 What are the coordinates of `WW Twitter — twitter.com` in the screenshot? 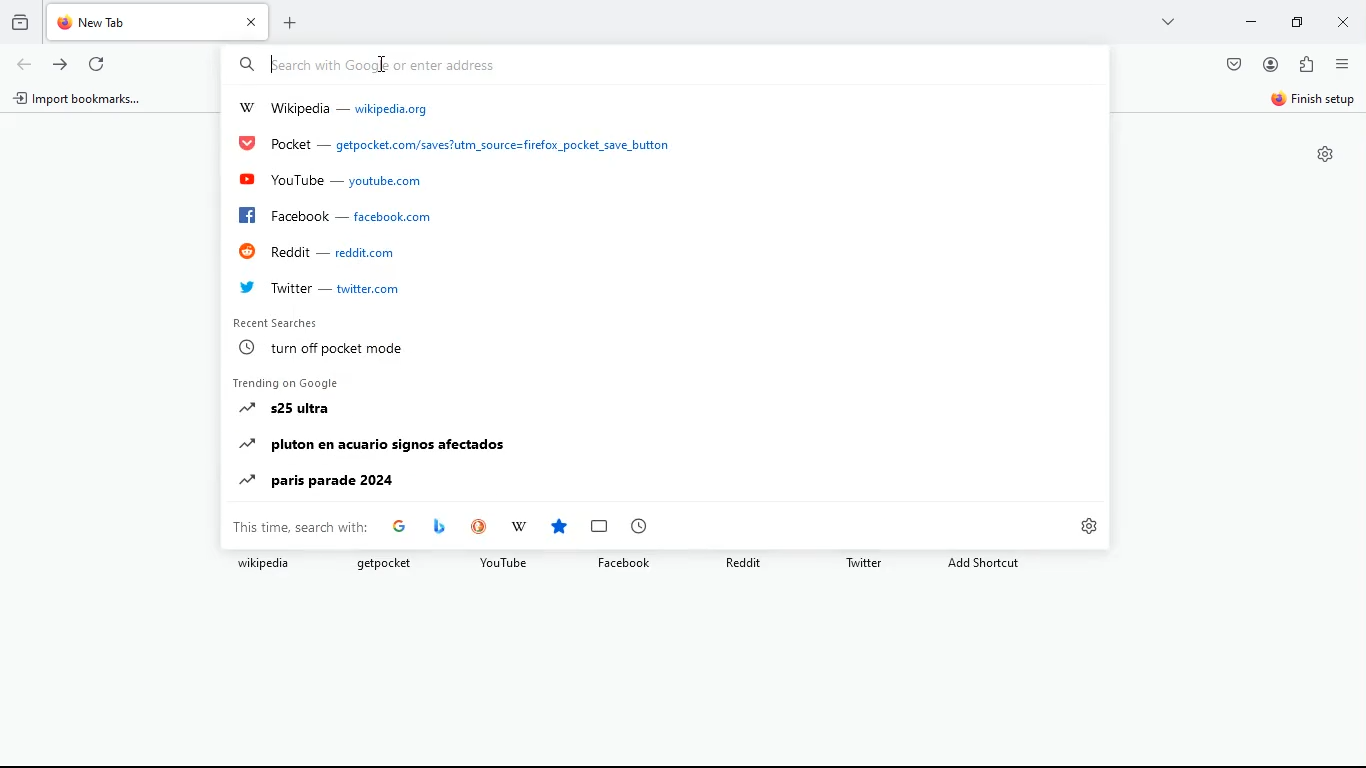 It's located at (317, 286).